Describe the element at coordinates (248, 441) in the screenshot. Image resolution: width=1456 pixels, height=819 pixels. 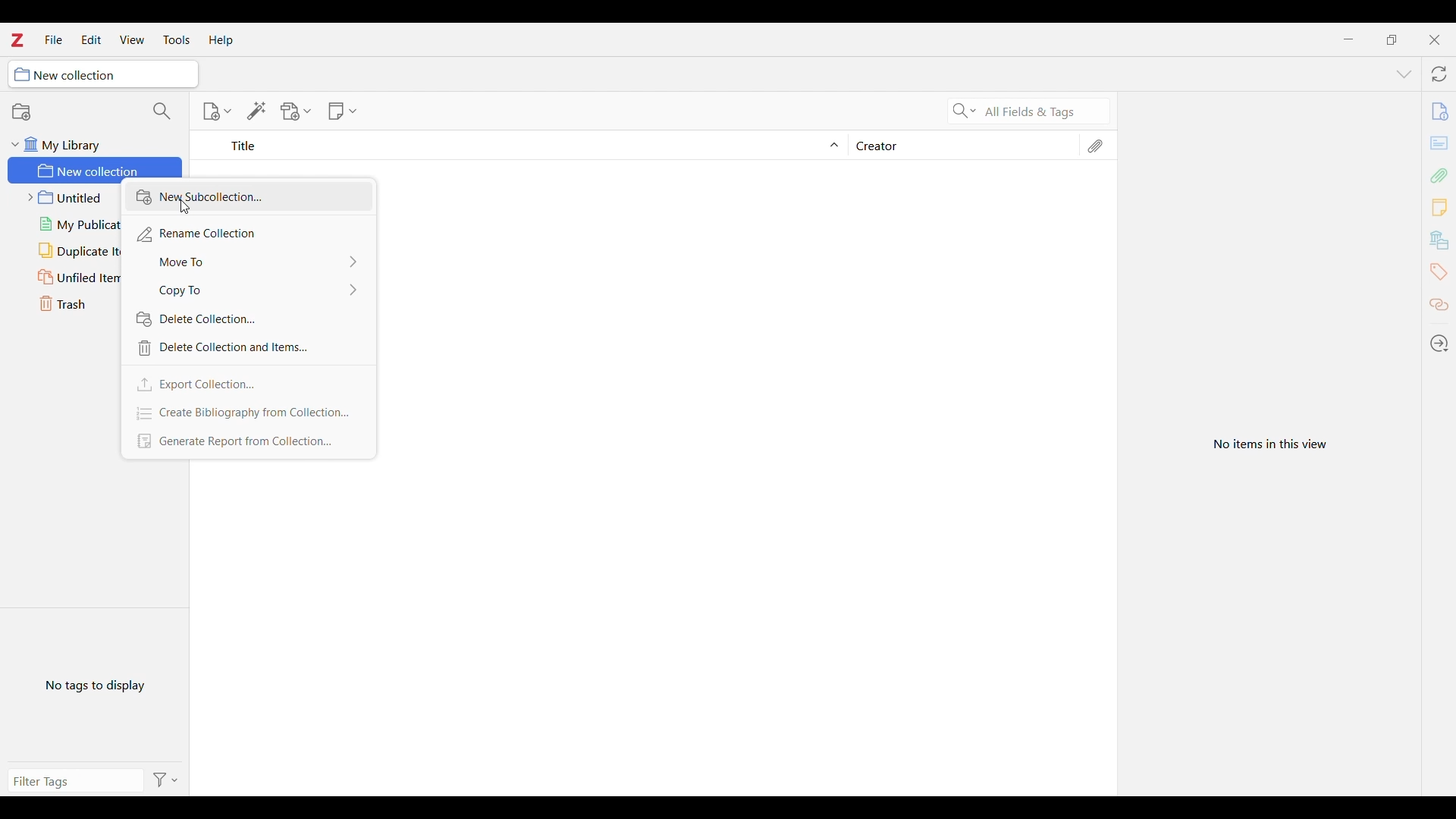
I see `Generate report from collection` at that location.